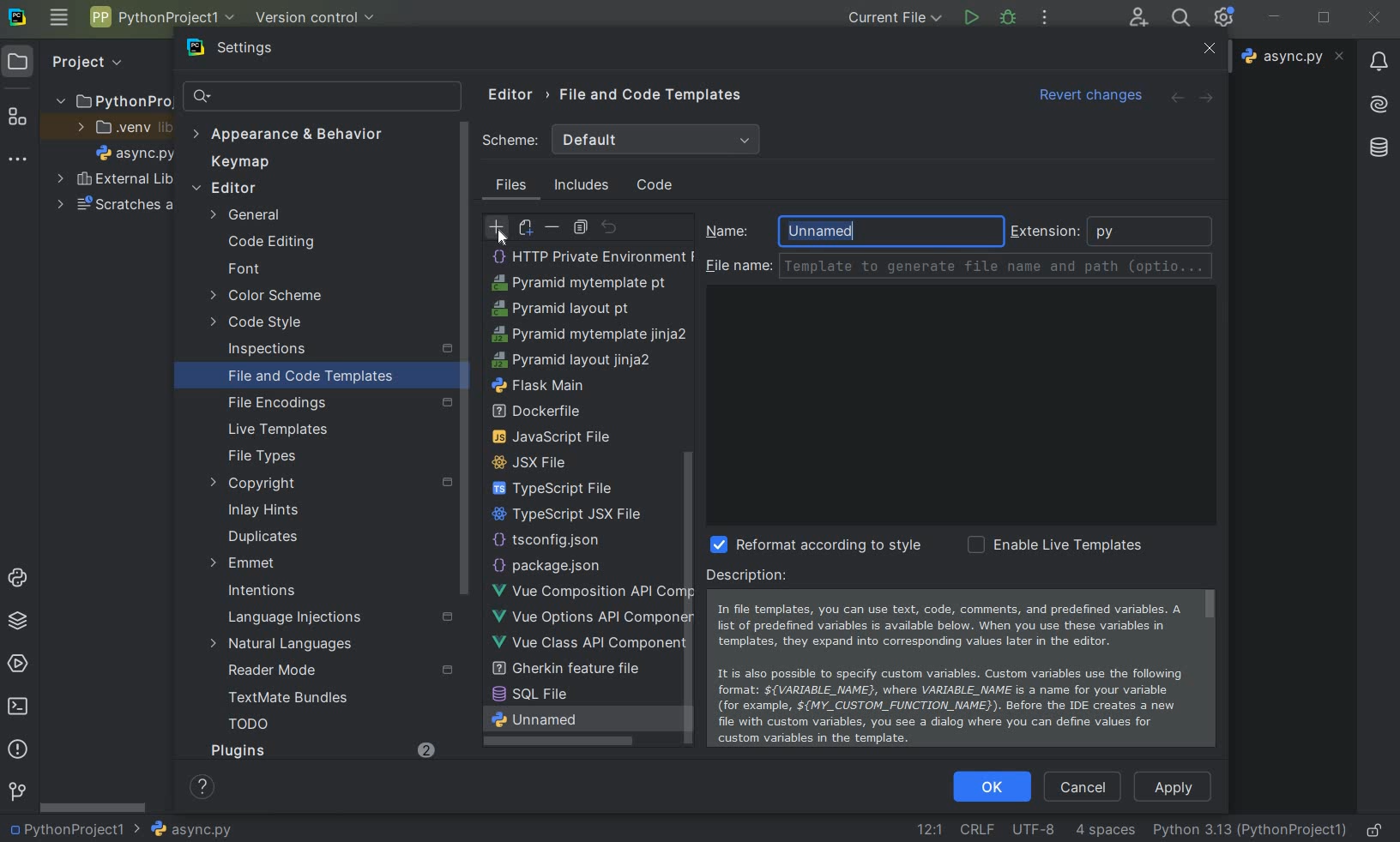 The height and width of the screenshot is (842, 1400). I want to click on natural languages, so click(293, 645).